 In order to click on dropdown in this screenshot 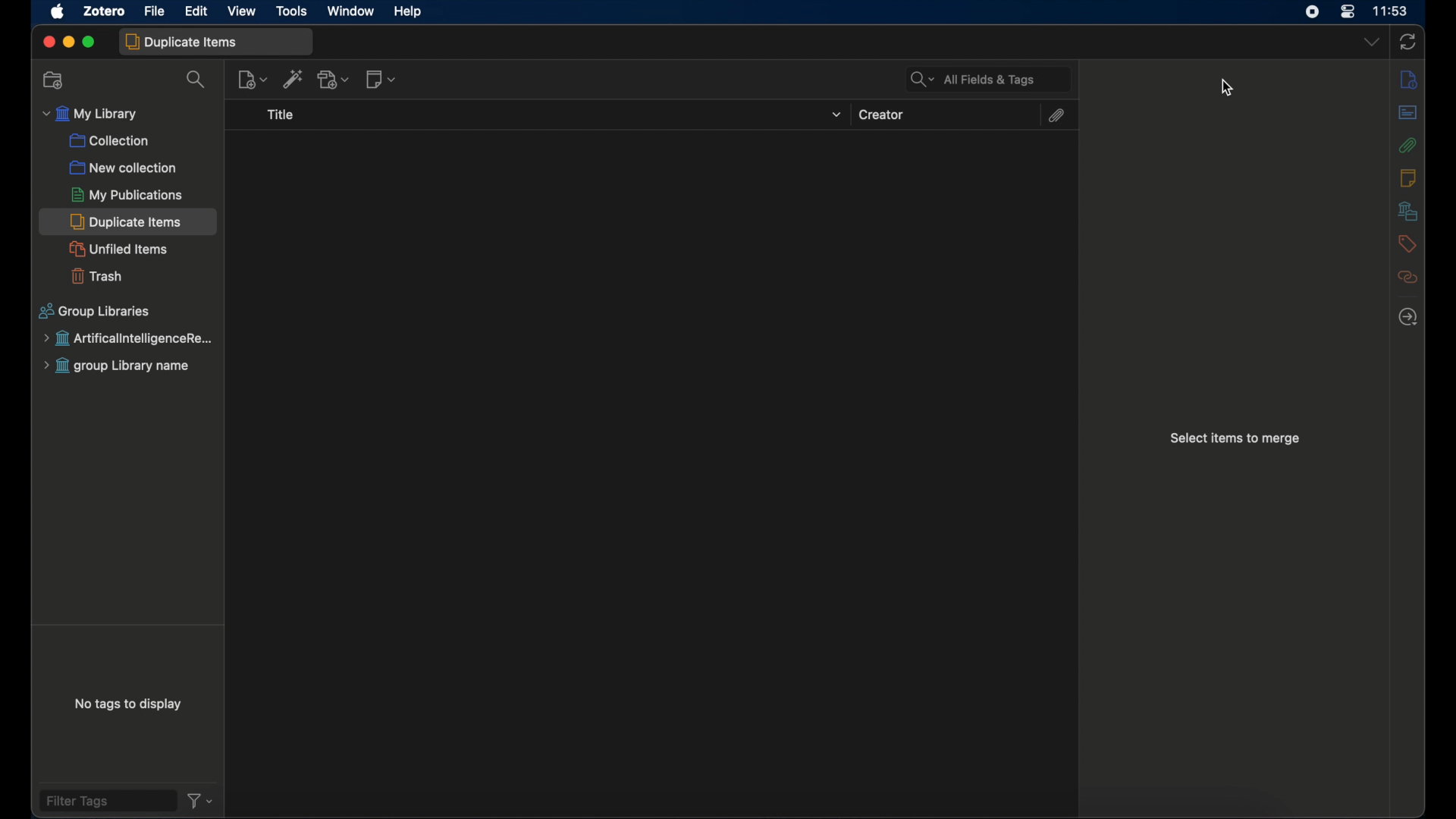, I will do `click(839, 117)`.